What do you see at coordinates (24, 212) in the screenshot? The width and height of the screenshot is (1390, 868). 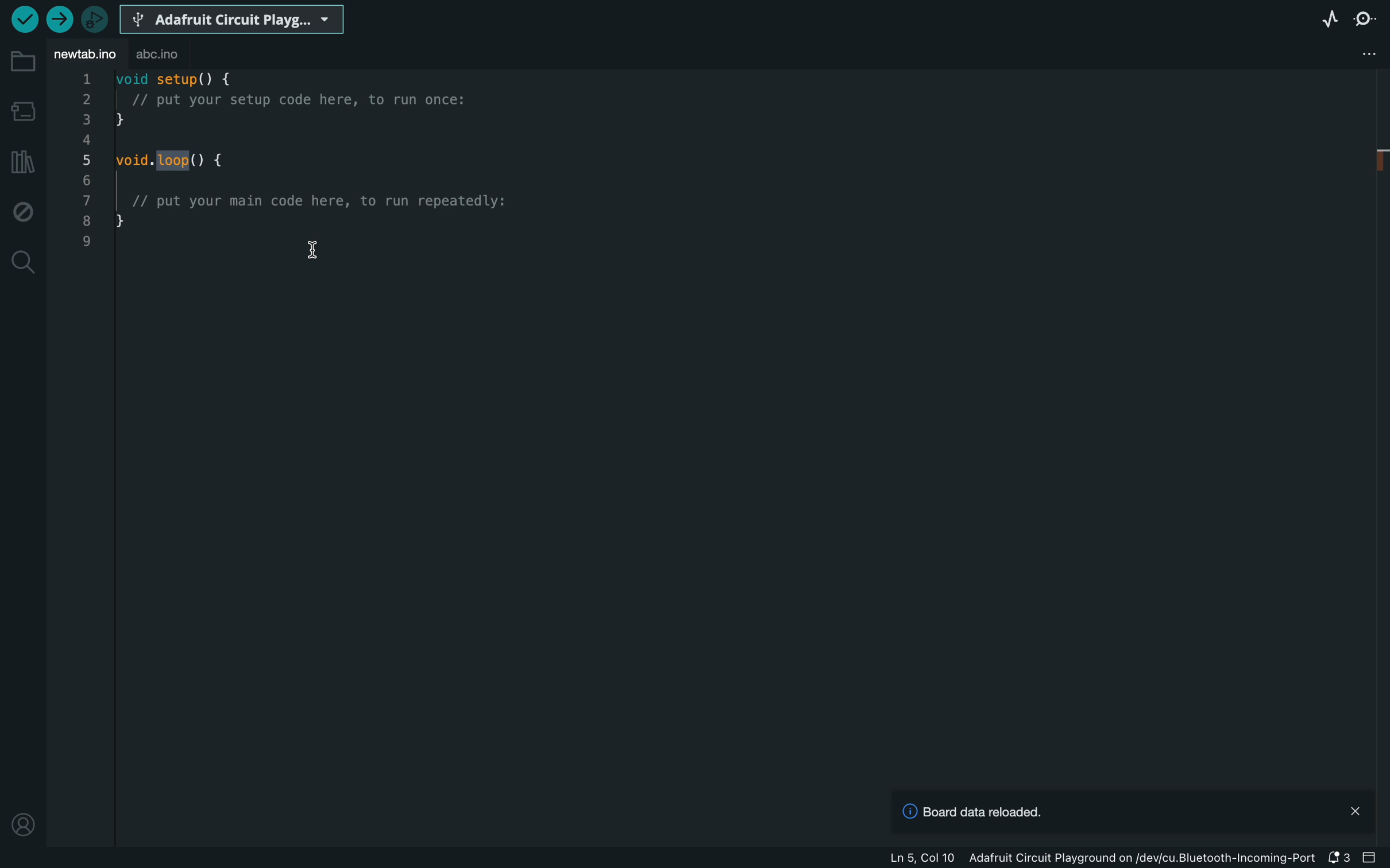 I see `debug` at bounding box center [24, 212].